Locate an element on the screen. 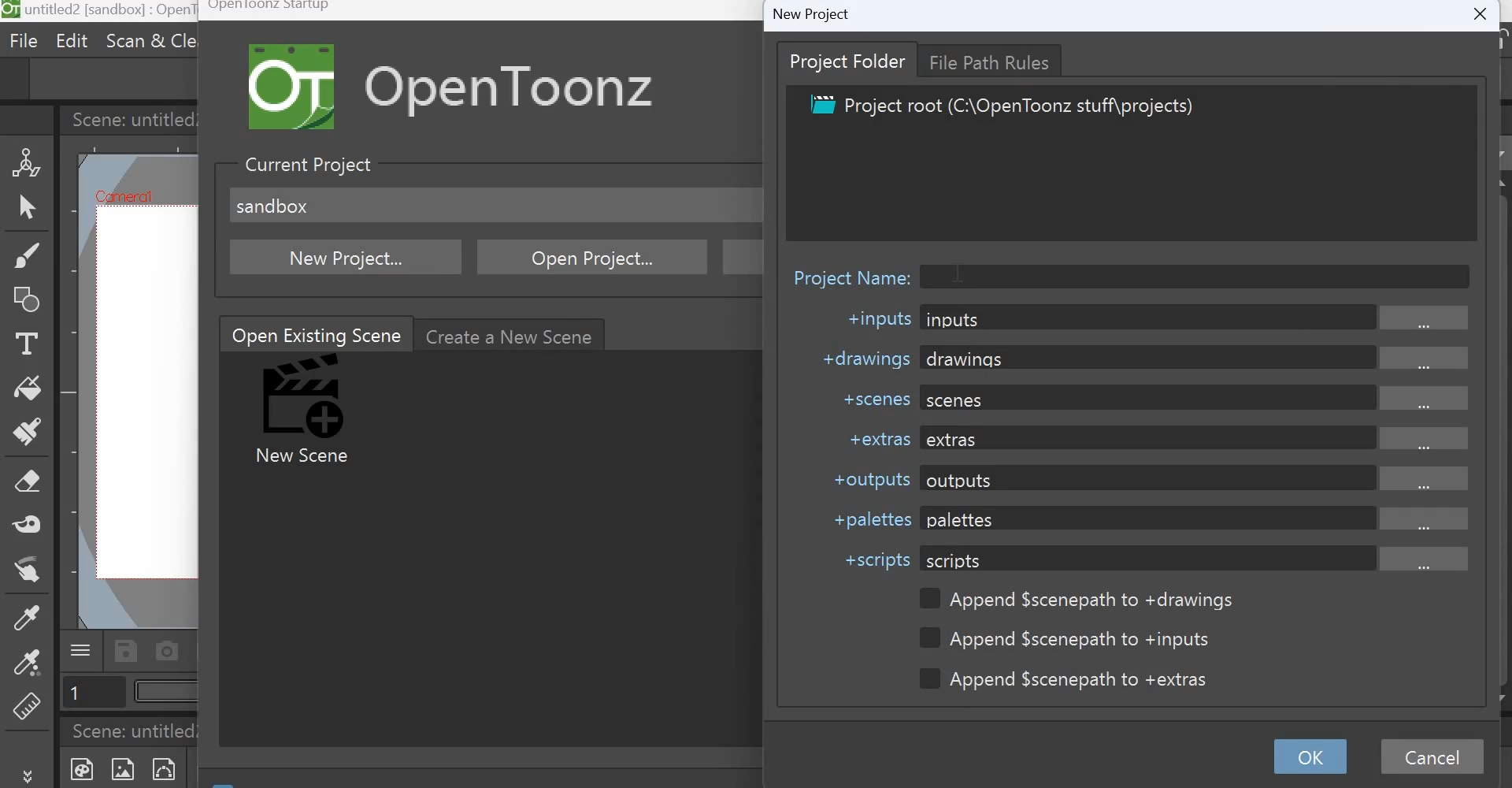 Image resolution: width=1512 pixels, height=788 pixels. New Raster Level is located at coordinates (128, 769).